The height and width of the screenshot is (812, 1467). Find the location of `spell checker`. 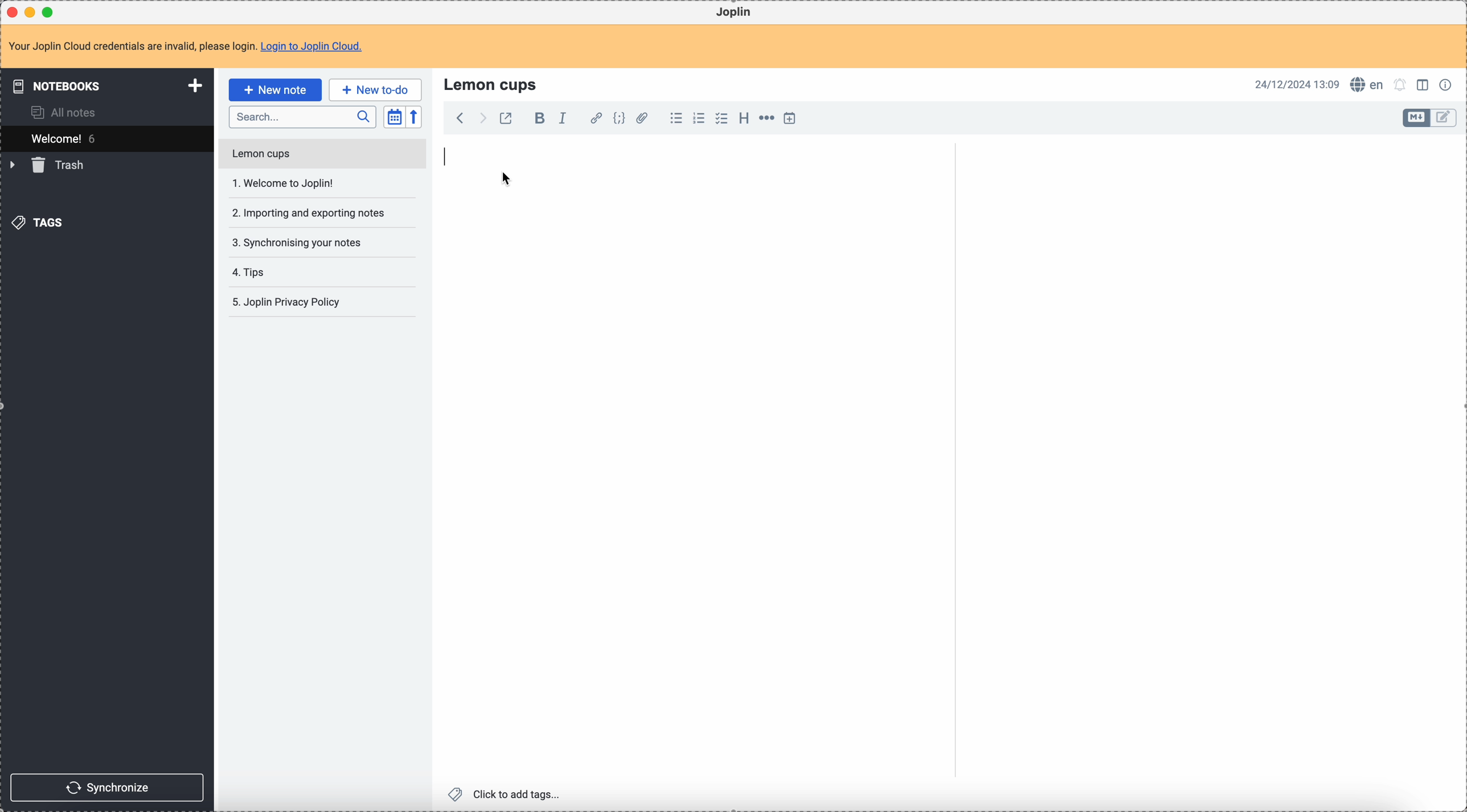

spell checker is located at coordinates (1370, 84).